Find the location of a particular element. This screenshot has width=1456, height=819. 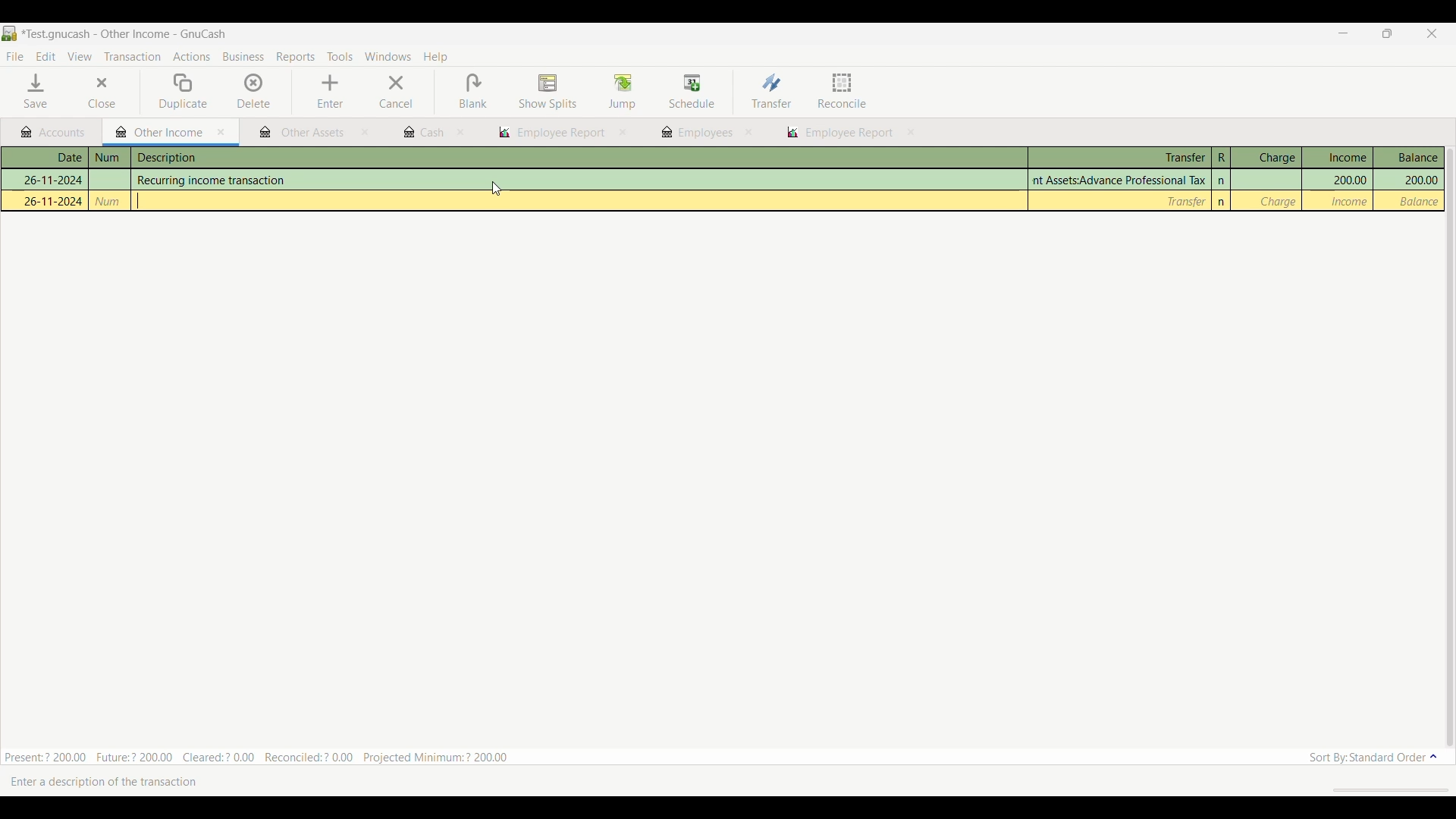

Cancel is located at coordinates (396, 92).